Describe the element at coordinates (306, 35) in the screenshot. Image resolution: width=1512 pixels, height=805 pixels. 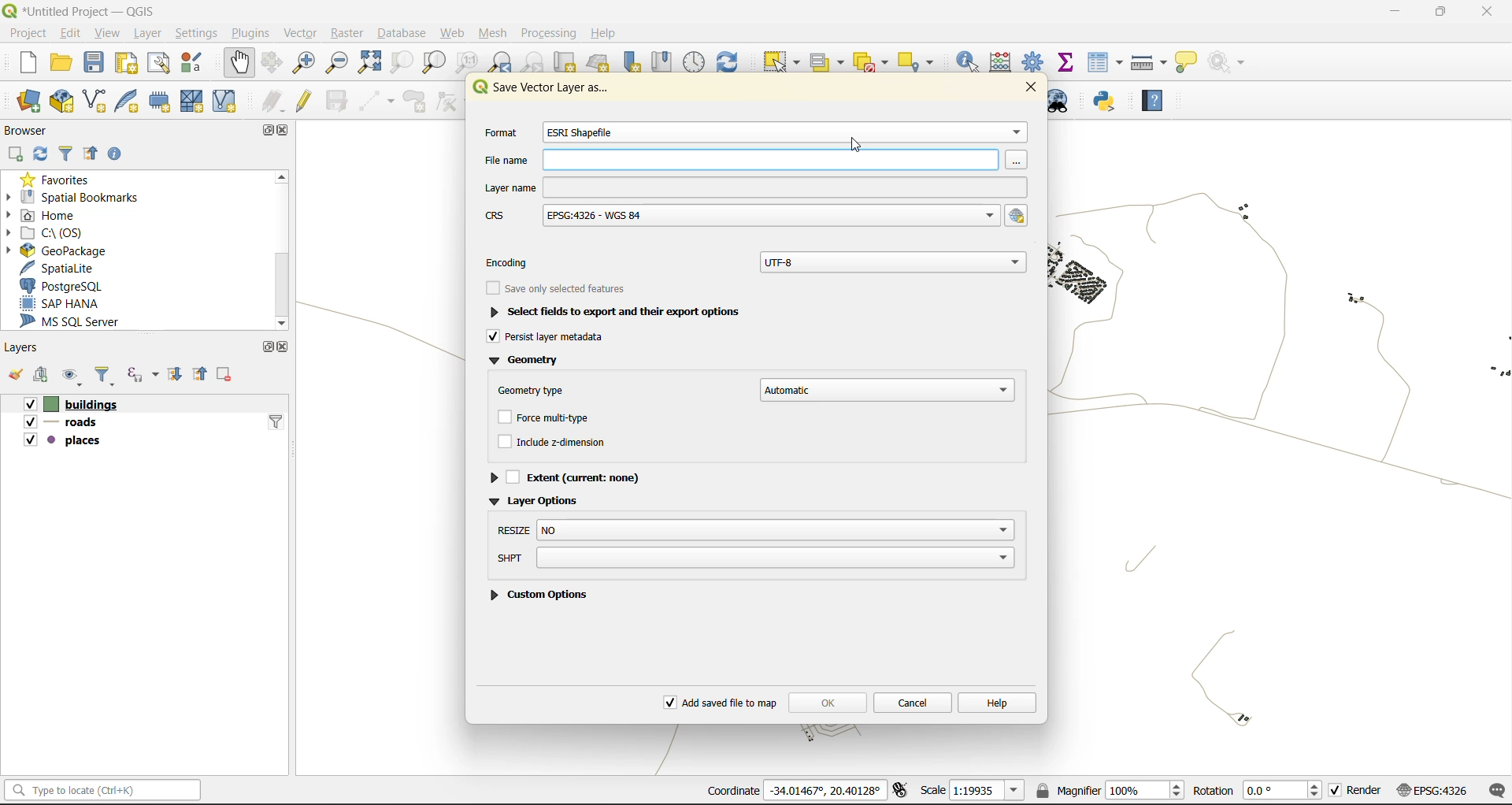
I see `vector` at that location.